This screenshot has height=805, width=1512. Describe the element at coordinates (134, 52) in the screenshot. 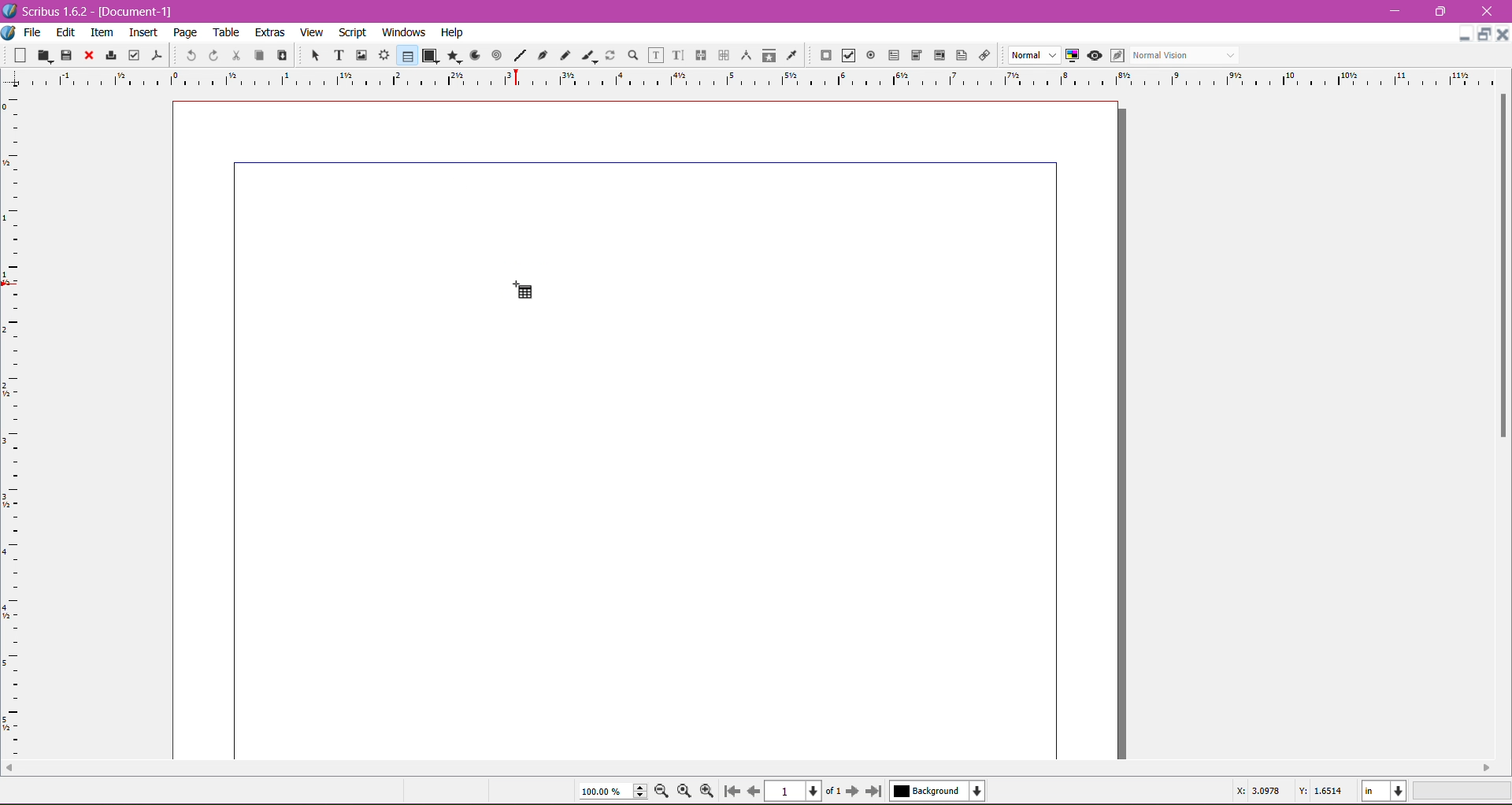

I see `Preflight Verifier` at that location.